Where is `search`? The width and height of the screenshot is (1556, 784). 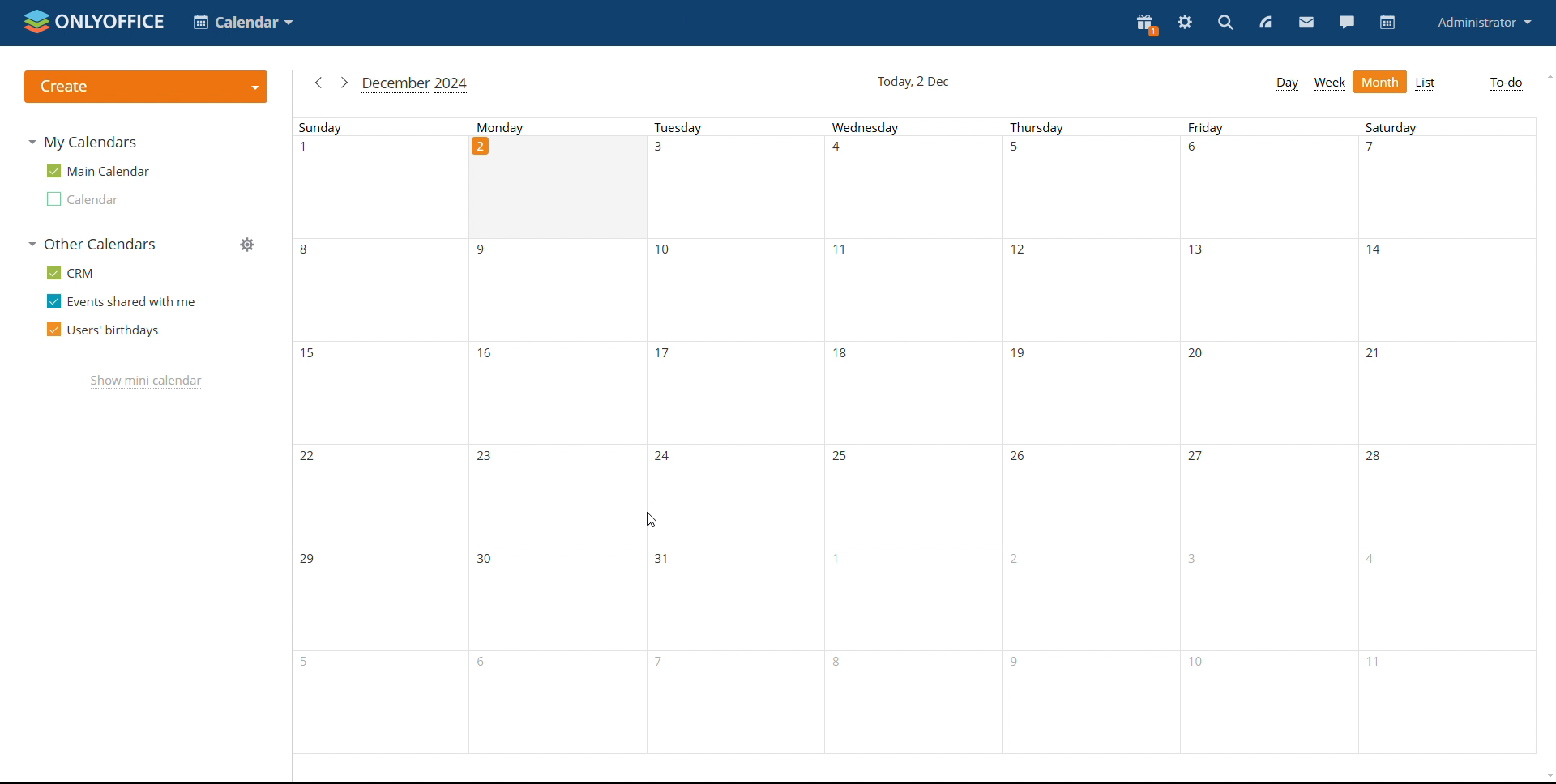 search is located at coordinates (1225, 24).